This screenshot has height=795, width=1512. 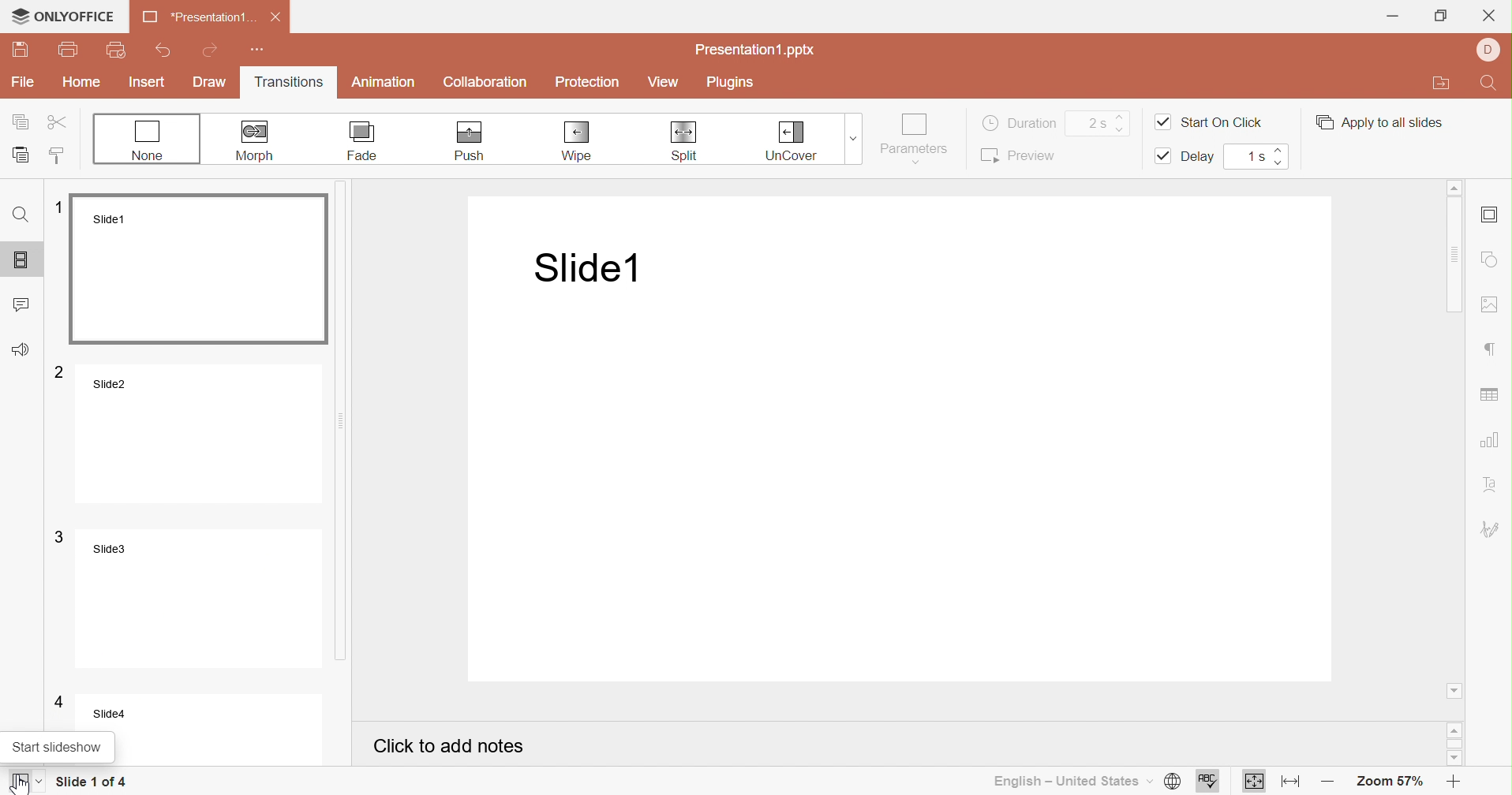 I want to click on Undo, so click(x=166, y=47).